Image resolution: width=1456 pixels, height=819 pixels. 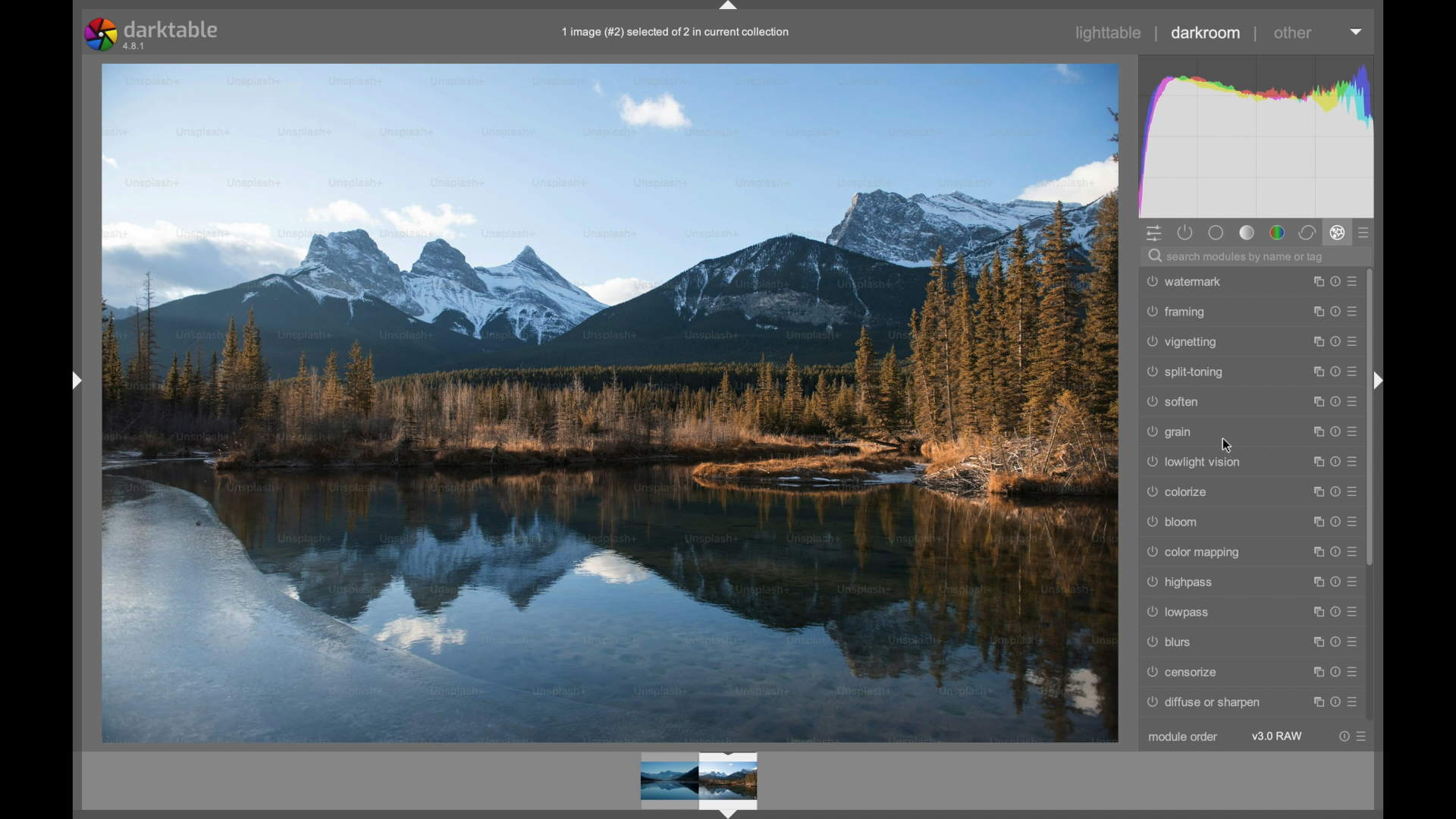 What do you see at coordinates (1313, 520) in the screenshot?
I see `instance` at bounding box center [1313, 520].